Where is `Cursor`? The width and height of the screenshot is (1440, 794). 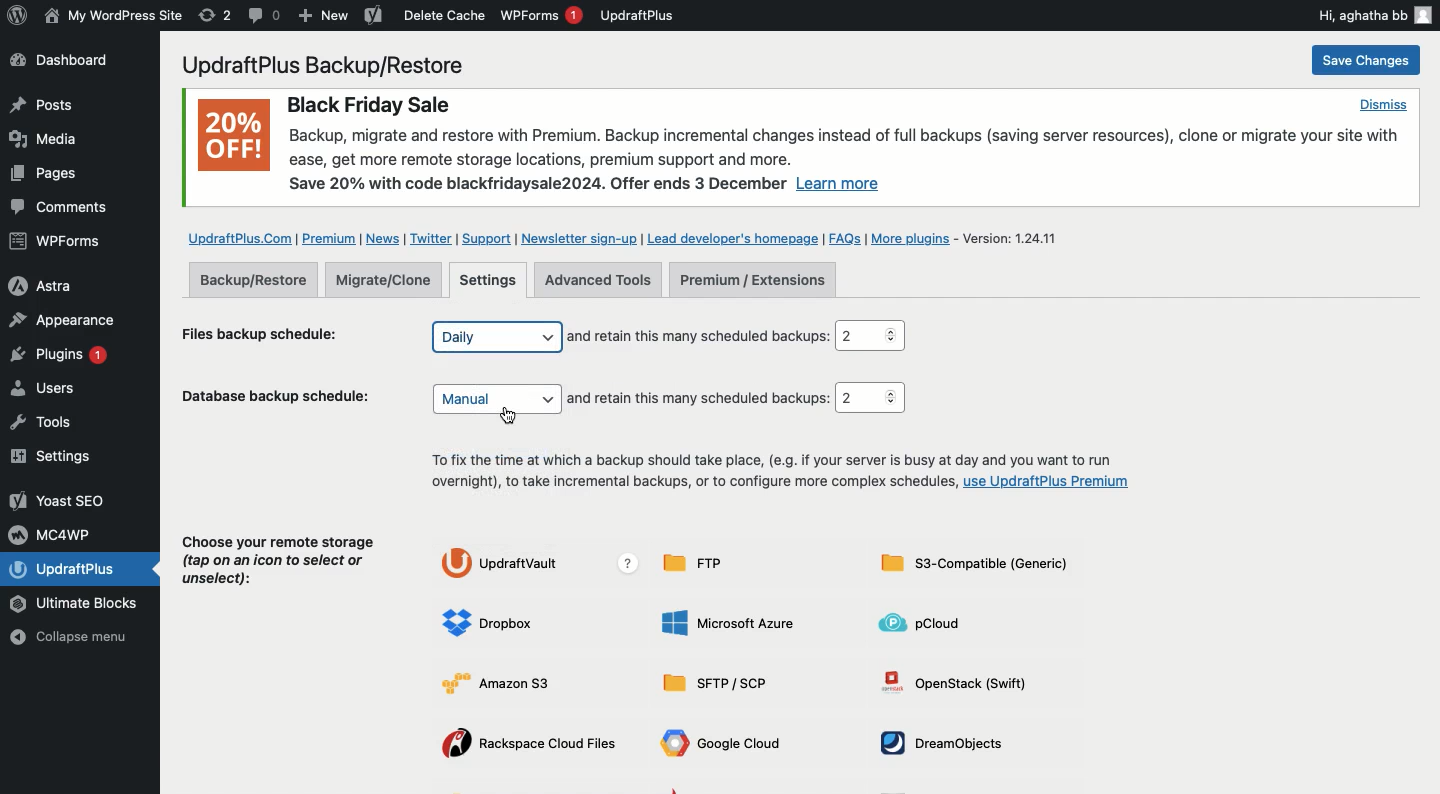
Cursor is located at coordinates (510, 416).